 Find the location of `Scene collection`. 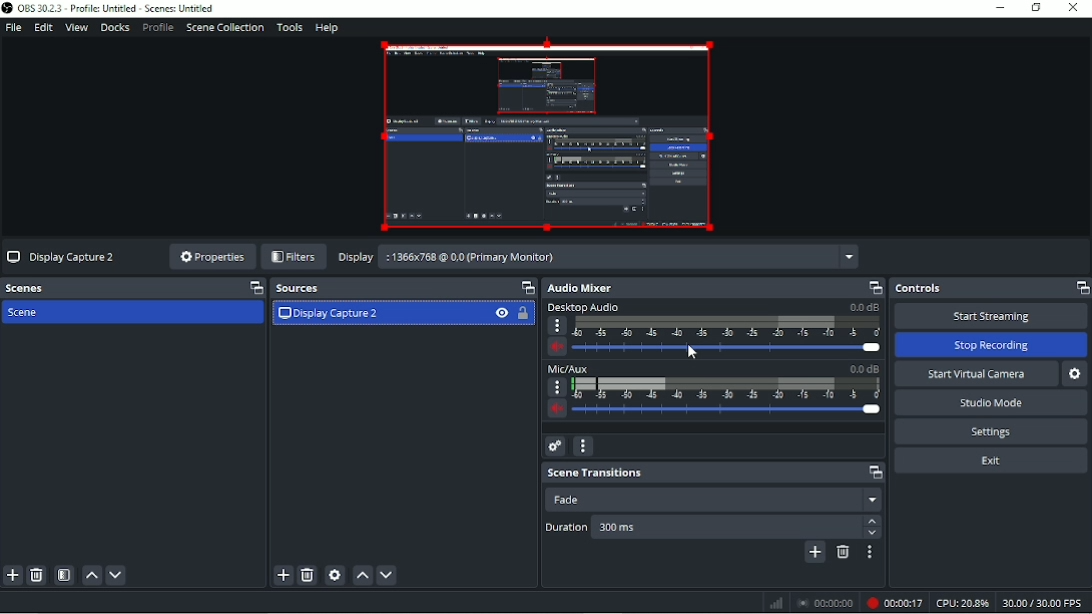

Scene collection is located at coordinates (224, 28).